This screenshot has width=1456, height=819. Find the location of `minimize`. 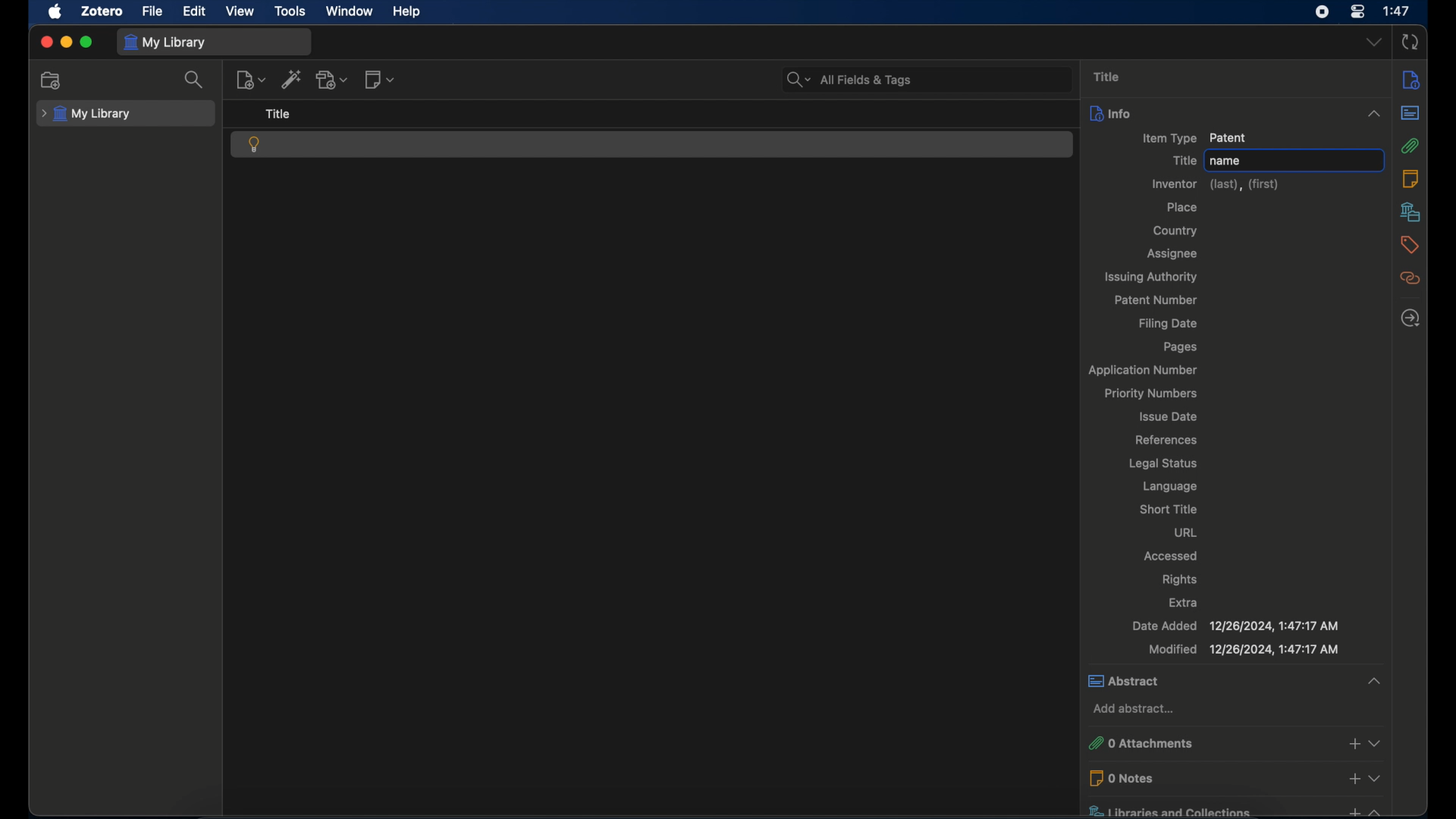

minimize is located at coordinates (67, 42).